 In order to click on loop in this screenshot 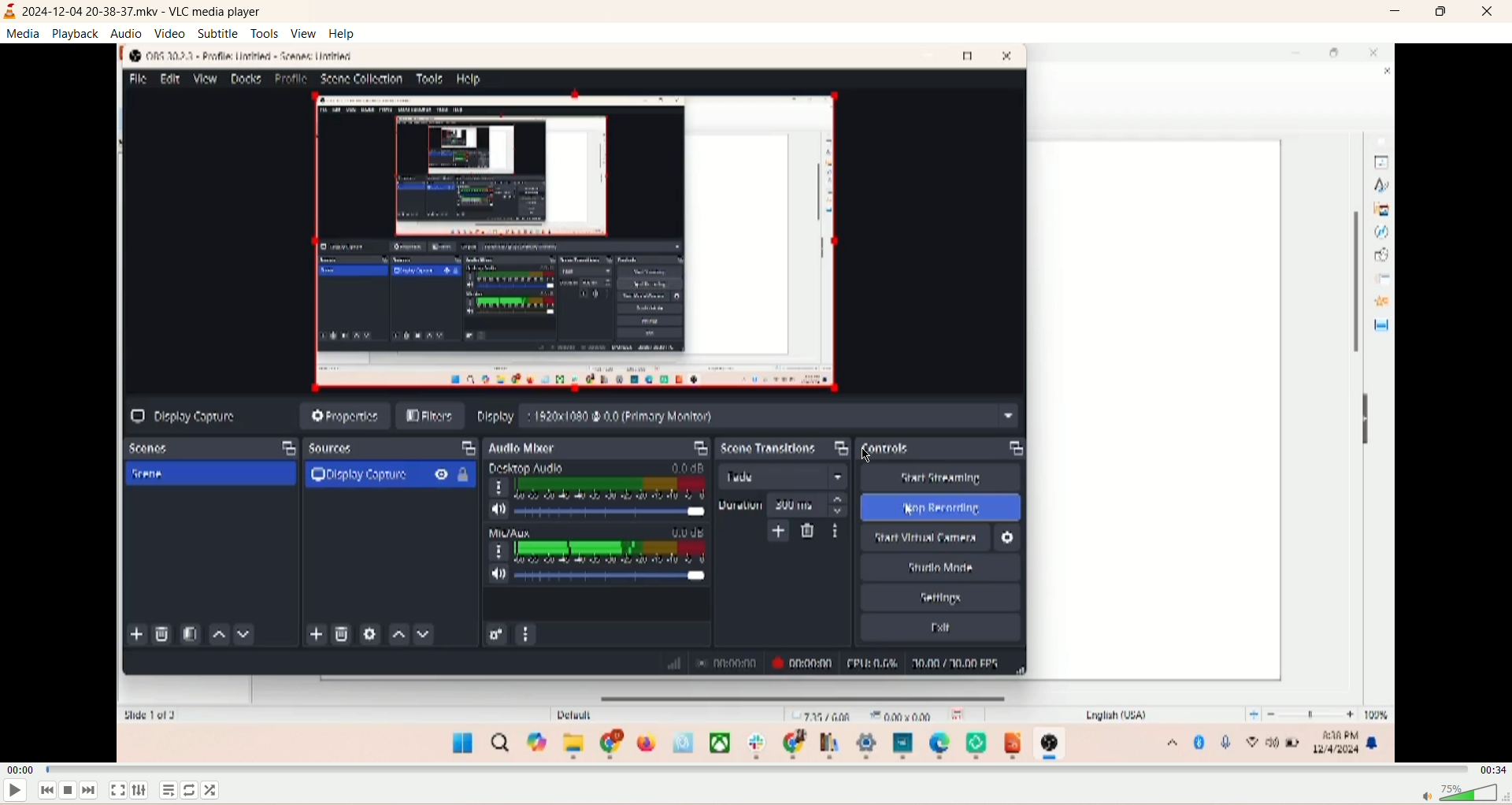, I will do `click(195, 789)`.